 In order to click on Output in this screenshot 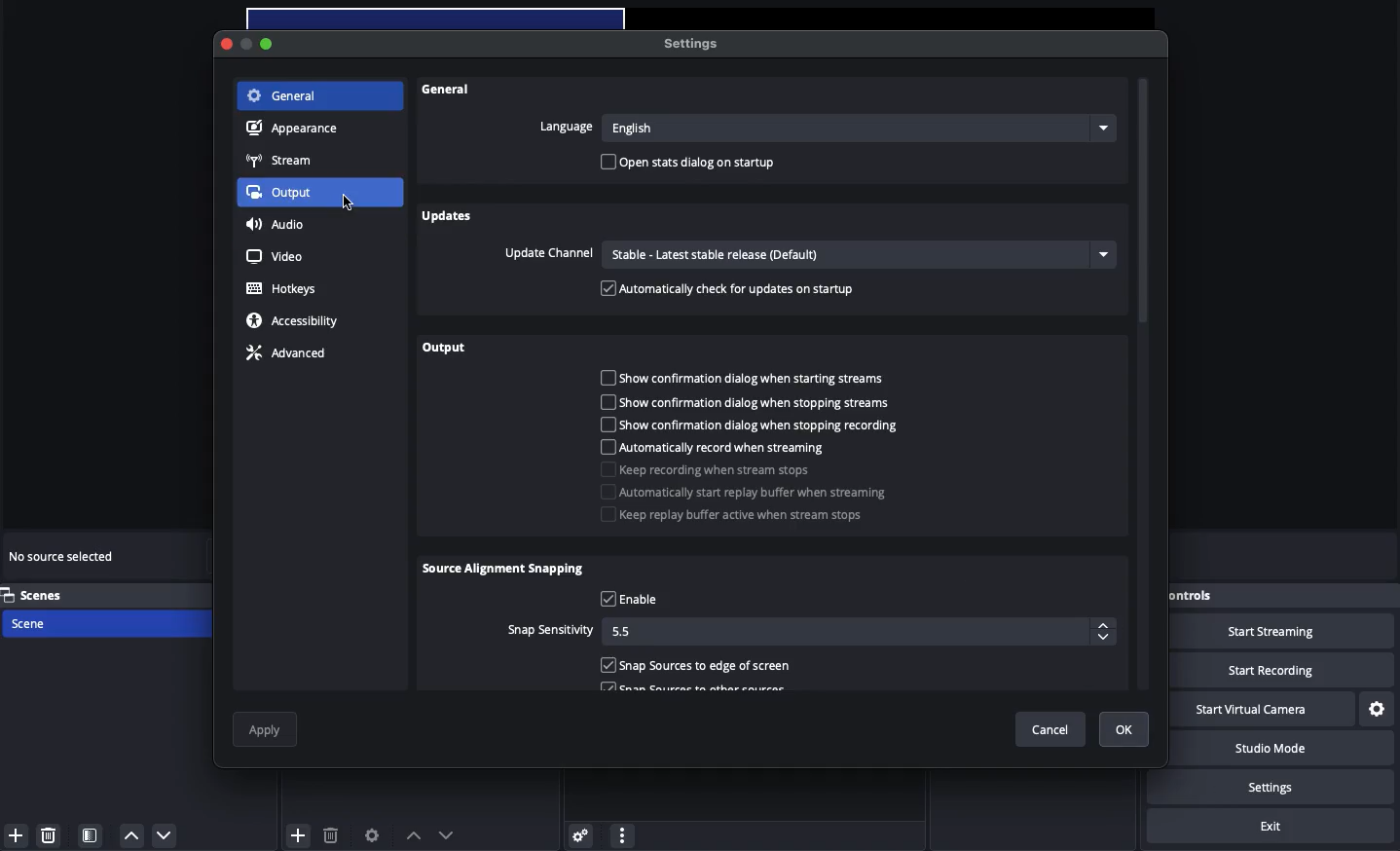, I will do `click(444, 348)`.